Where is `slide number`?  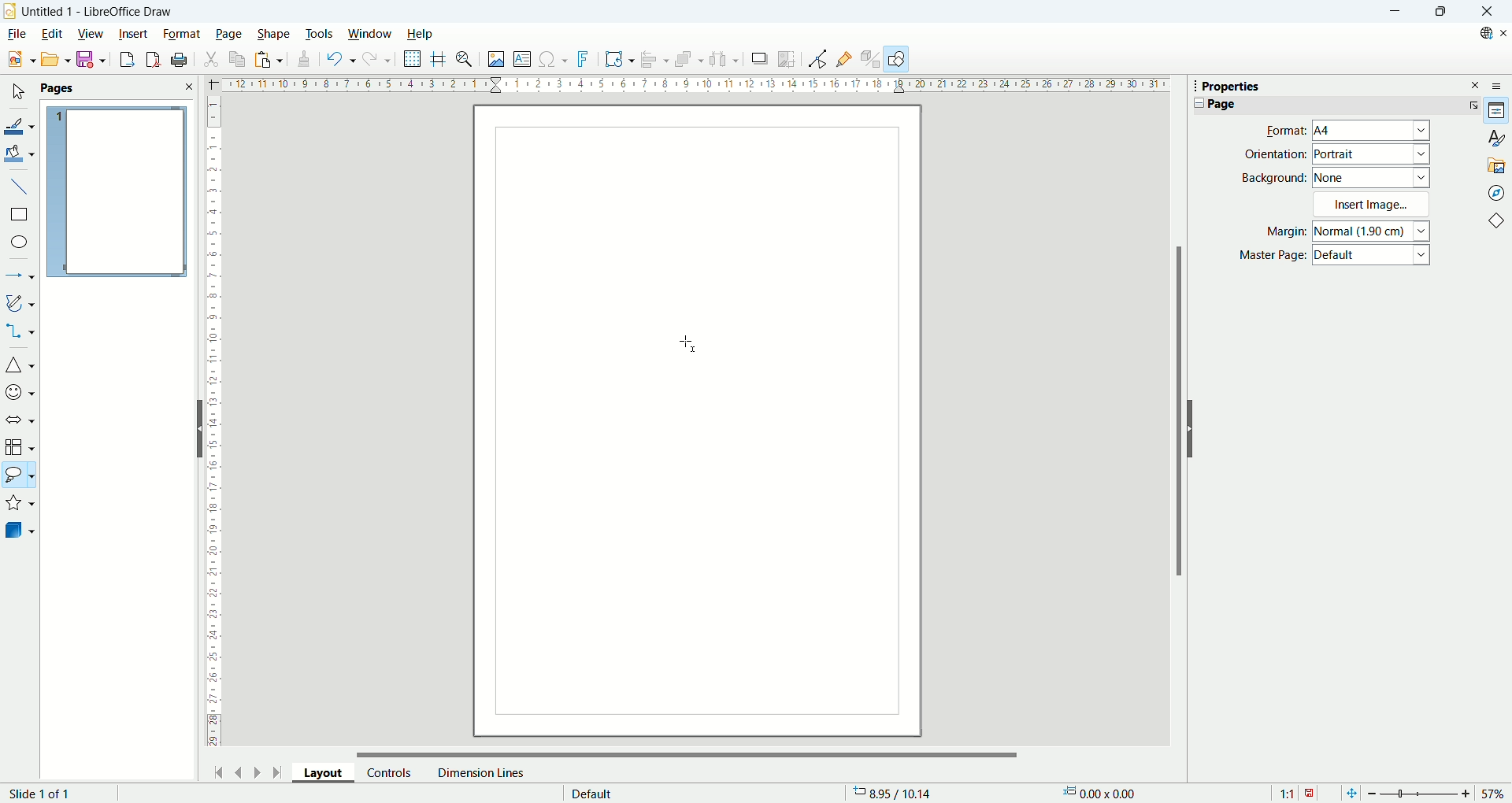
slide number is located at coordinates (43, 794).